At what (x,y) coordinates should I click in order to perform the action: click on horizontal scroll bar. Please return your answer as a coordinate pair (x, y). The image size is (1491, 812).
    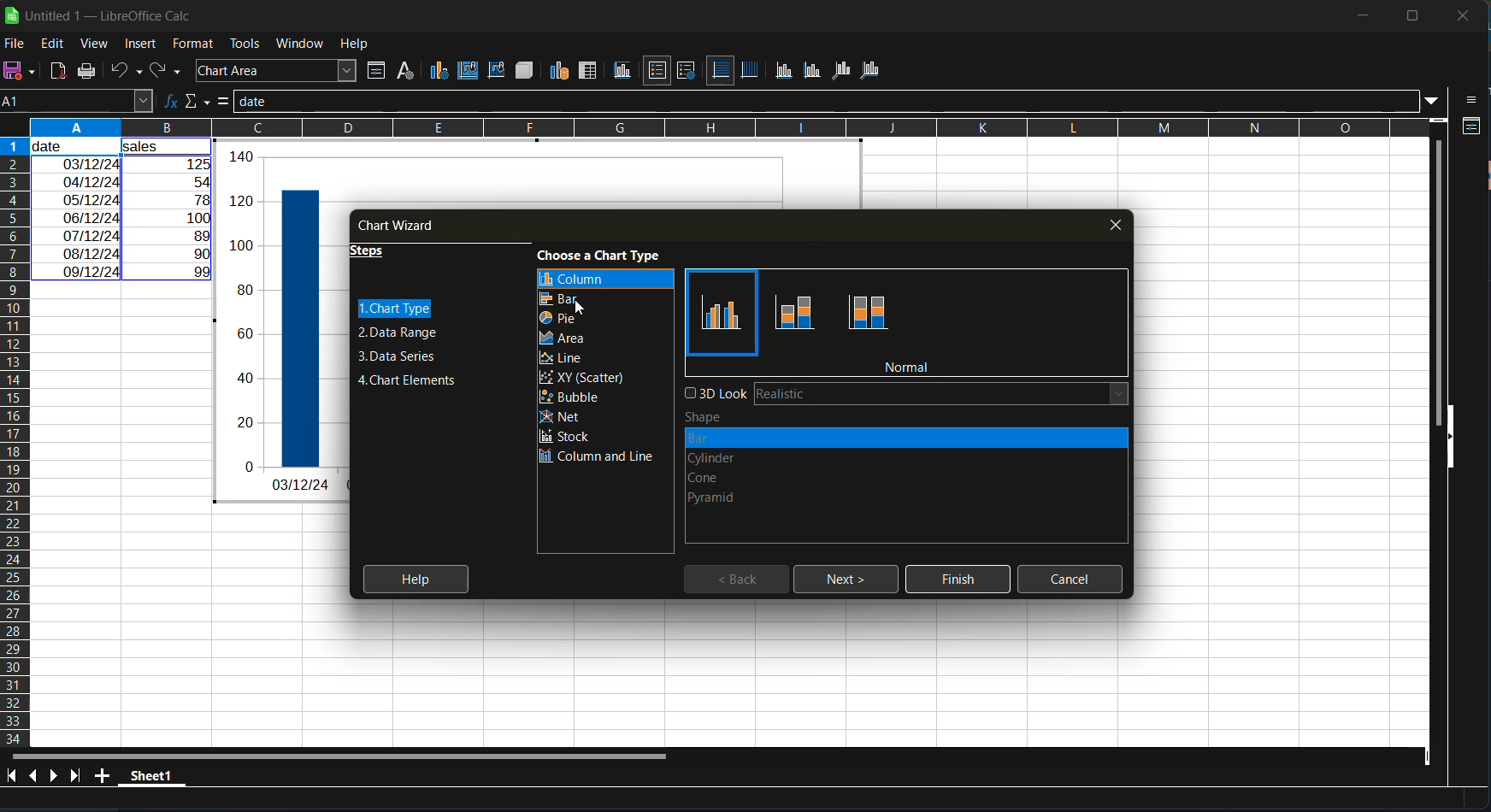
    Looking at the image, I should click on (335, 753).